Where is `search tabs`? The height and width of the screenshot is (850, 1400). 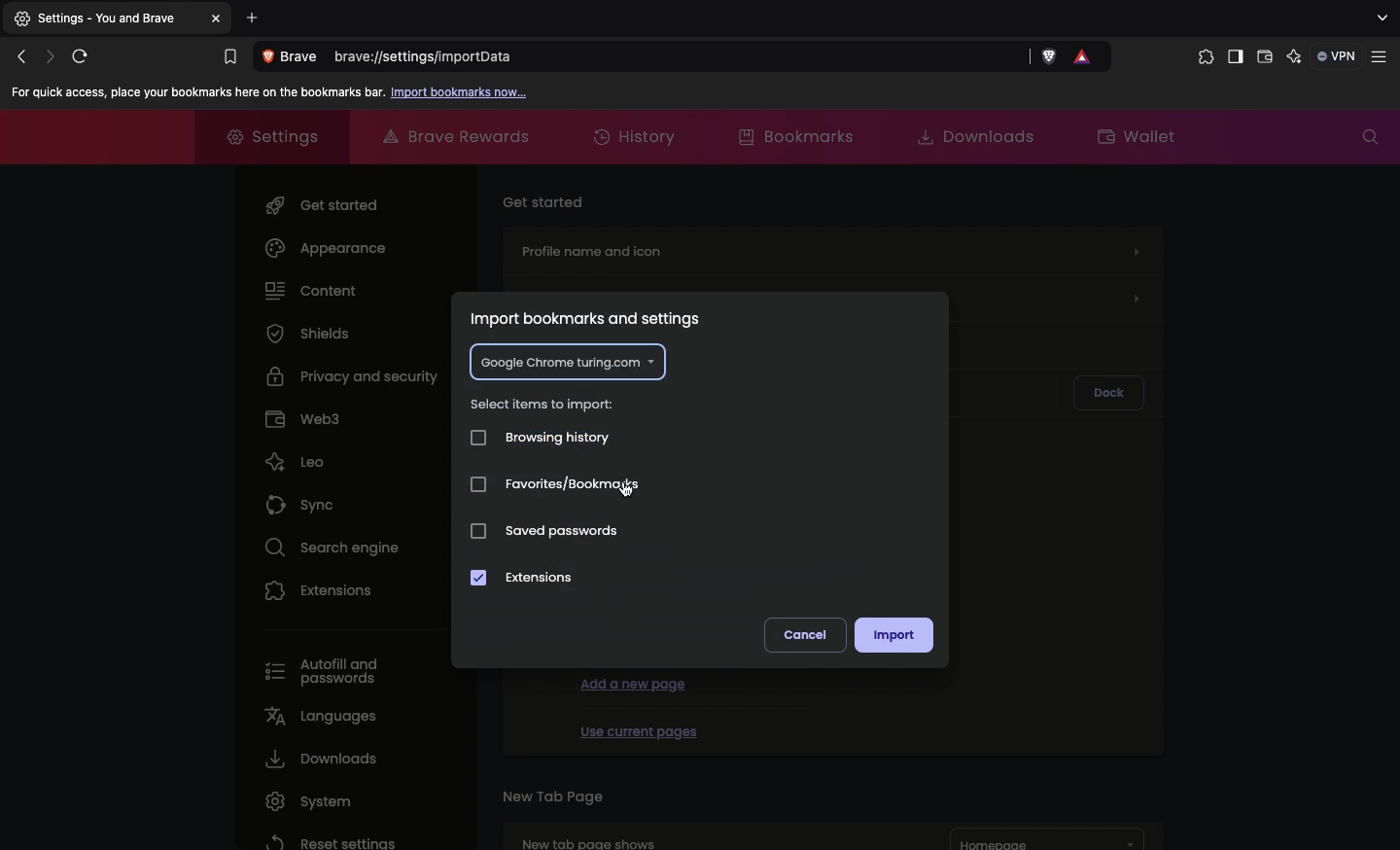
search tabs is located at coordinates (1381, 18).